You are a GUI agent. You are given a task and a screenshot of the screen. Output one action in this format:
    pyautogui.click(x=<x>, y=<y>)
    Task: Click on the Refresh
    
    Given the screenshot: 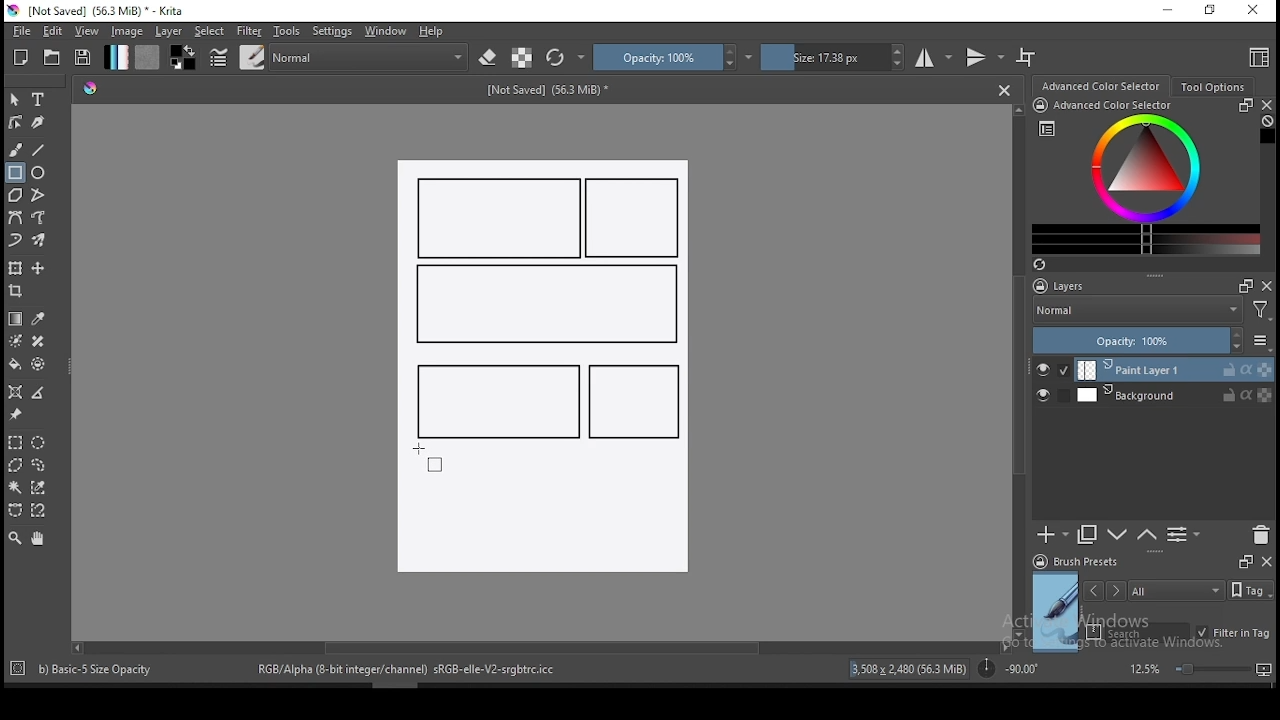 What is the action you would take?
    pyautogui.click(x=1047, y=266)
    